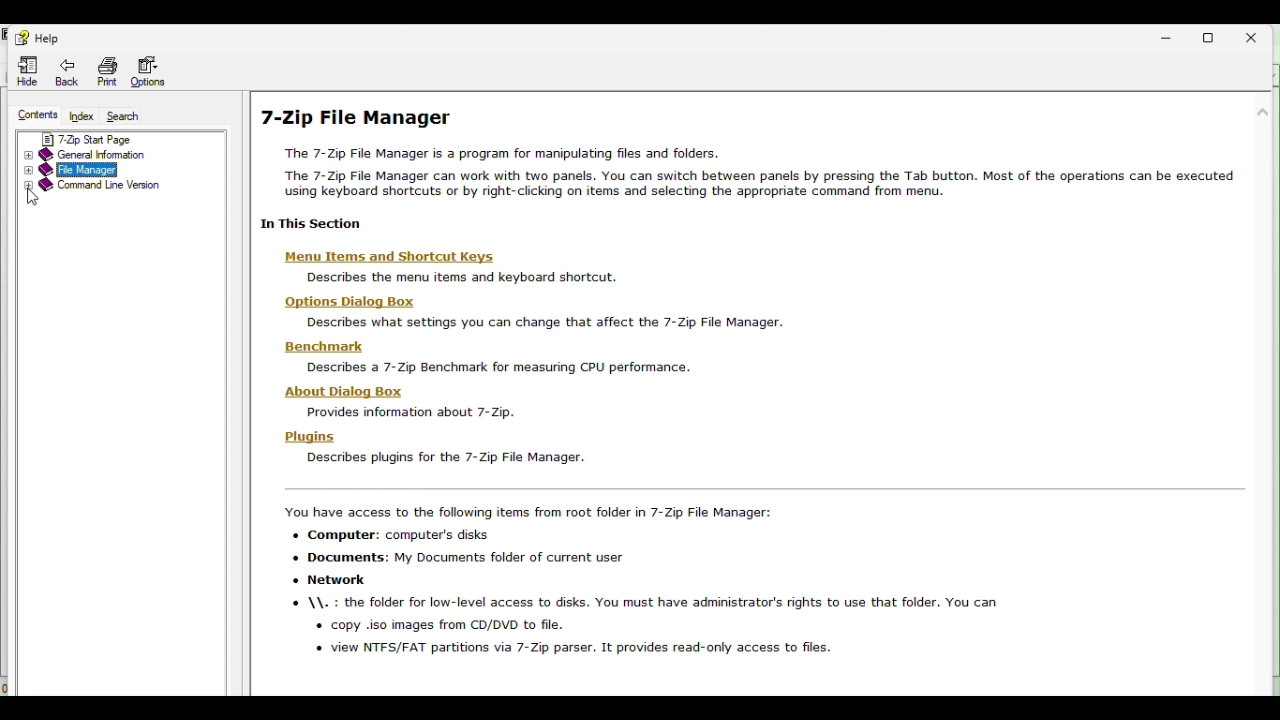  Describe the element at coordinates (1262, 33) in the screenshot. I see `Close` at that location.